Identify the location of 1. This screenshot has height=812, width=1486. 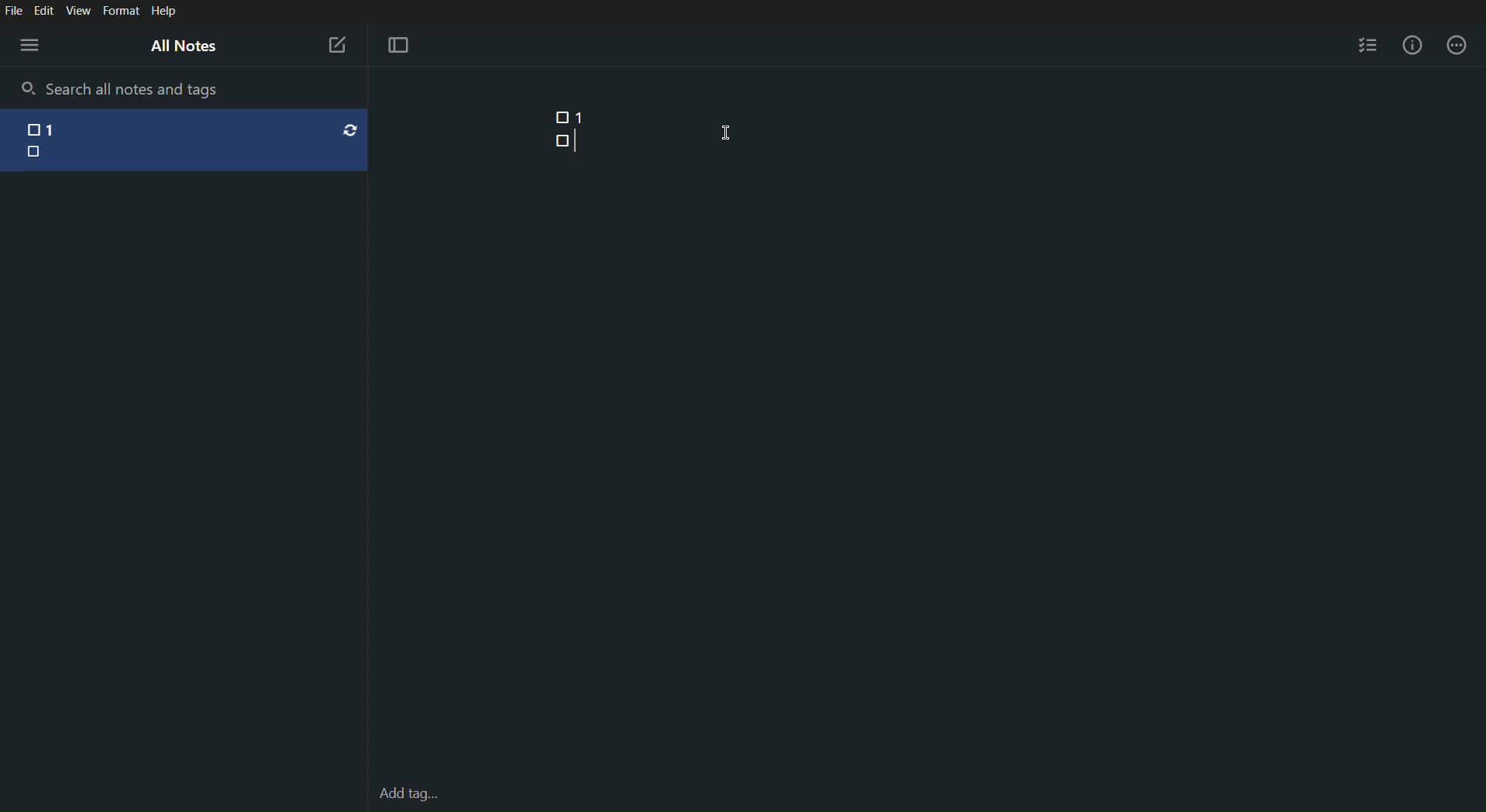
(64, 125).